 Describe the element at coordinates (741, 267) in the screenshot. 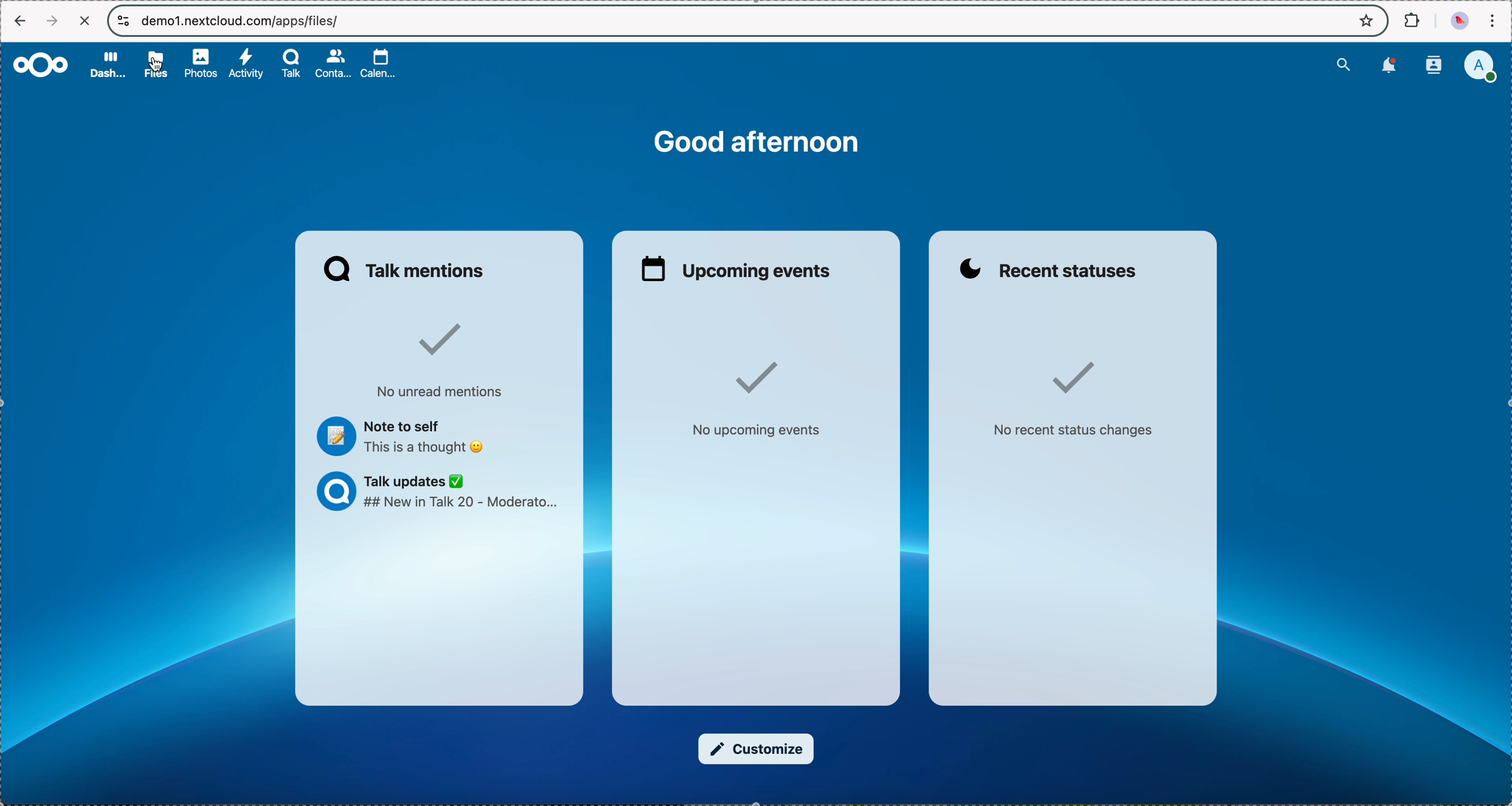

I see `upcoming events` at that location.